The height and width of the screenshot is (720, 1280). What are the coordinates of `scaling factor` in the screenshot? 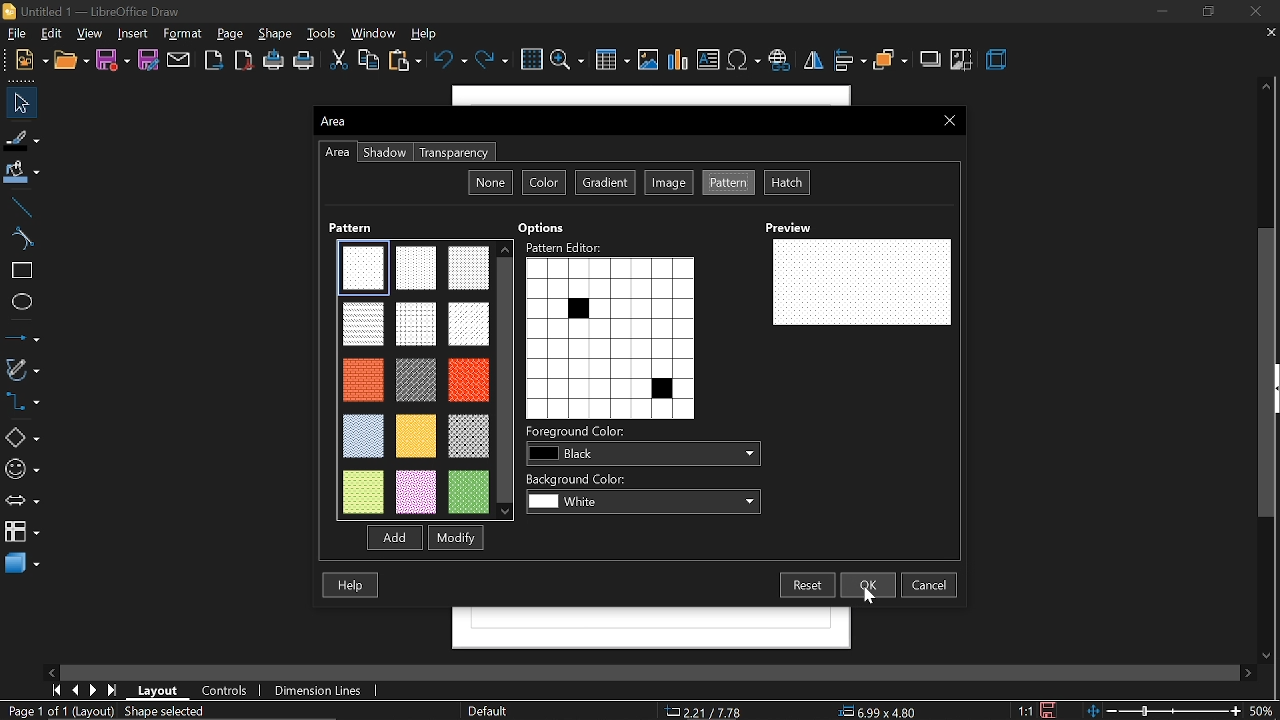 It's located at (1024, 706).